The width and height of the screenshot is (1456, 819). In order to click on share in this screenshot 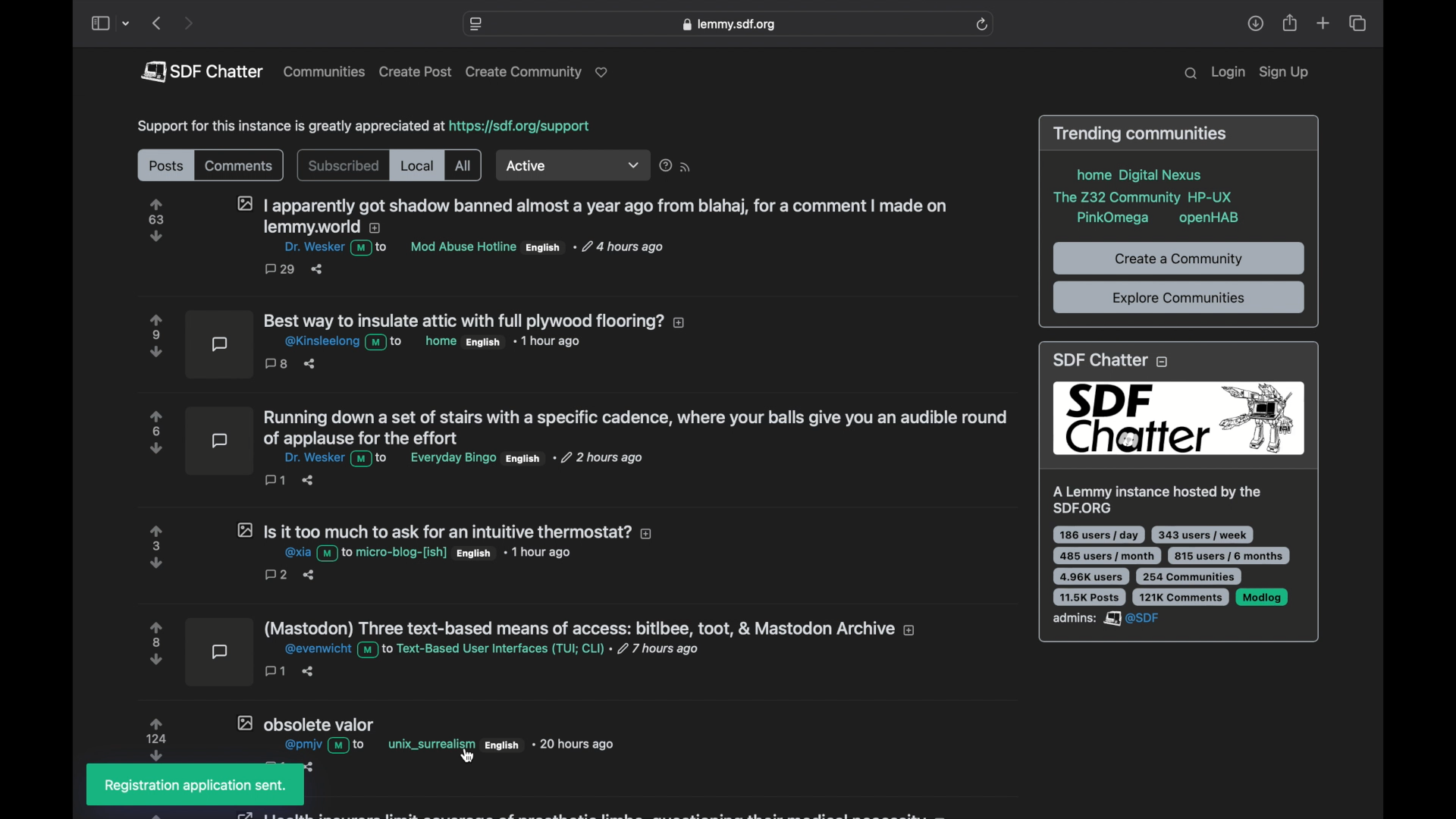, I will do `click(1255, 24)`.